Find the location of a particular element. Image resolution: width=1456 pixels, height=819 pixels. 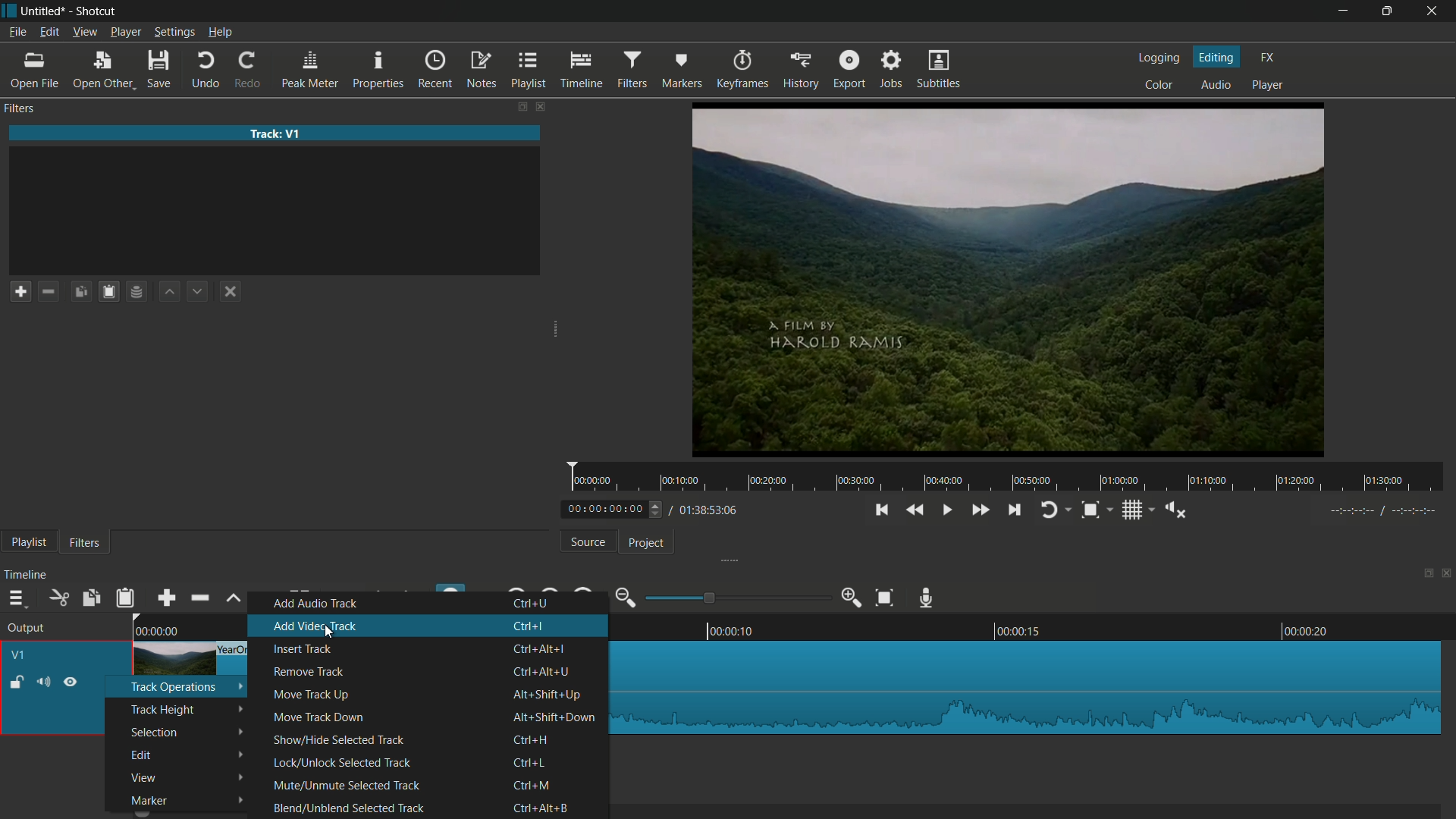

view menu is located at coordinates (86, 32).